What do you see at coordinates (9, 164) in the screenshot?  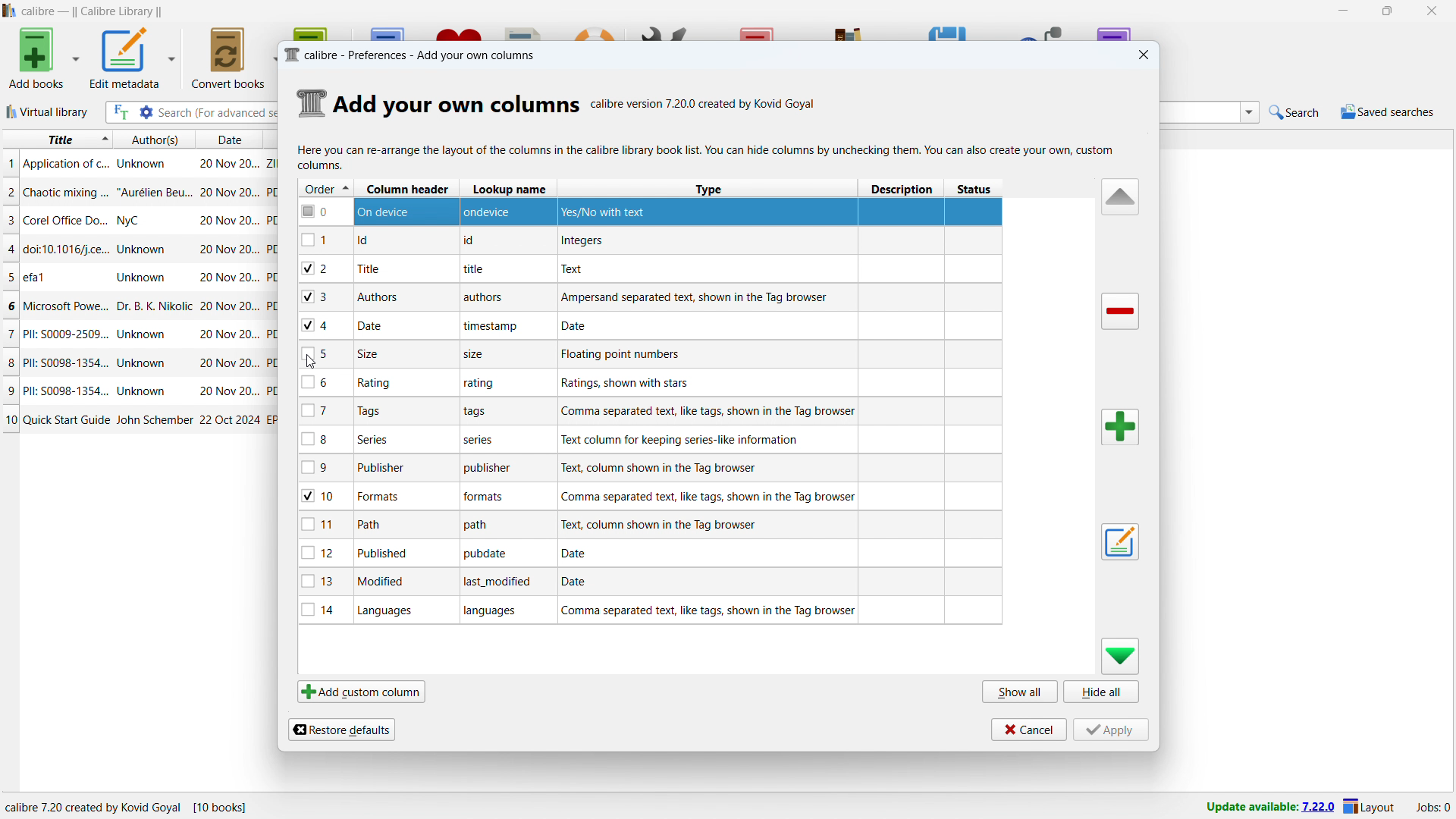 I see `1` at bounding box center [9, 164].